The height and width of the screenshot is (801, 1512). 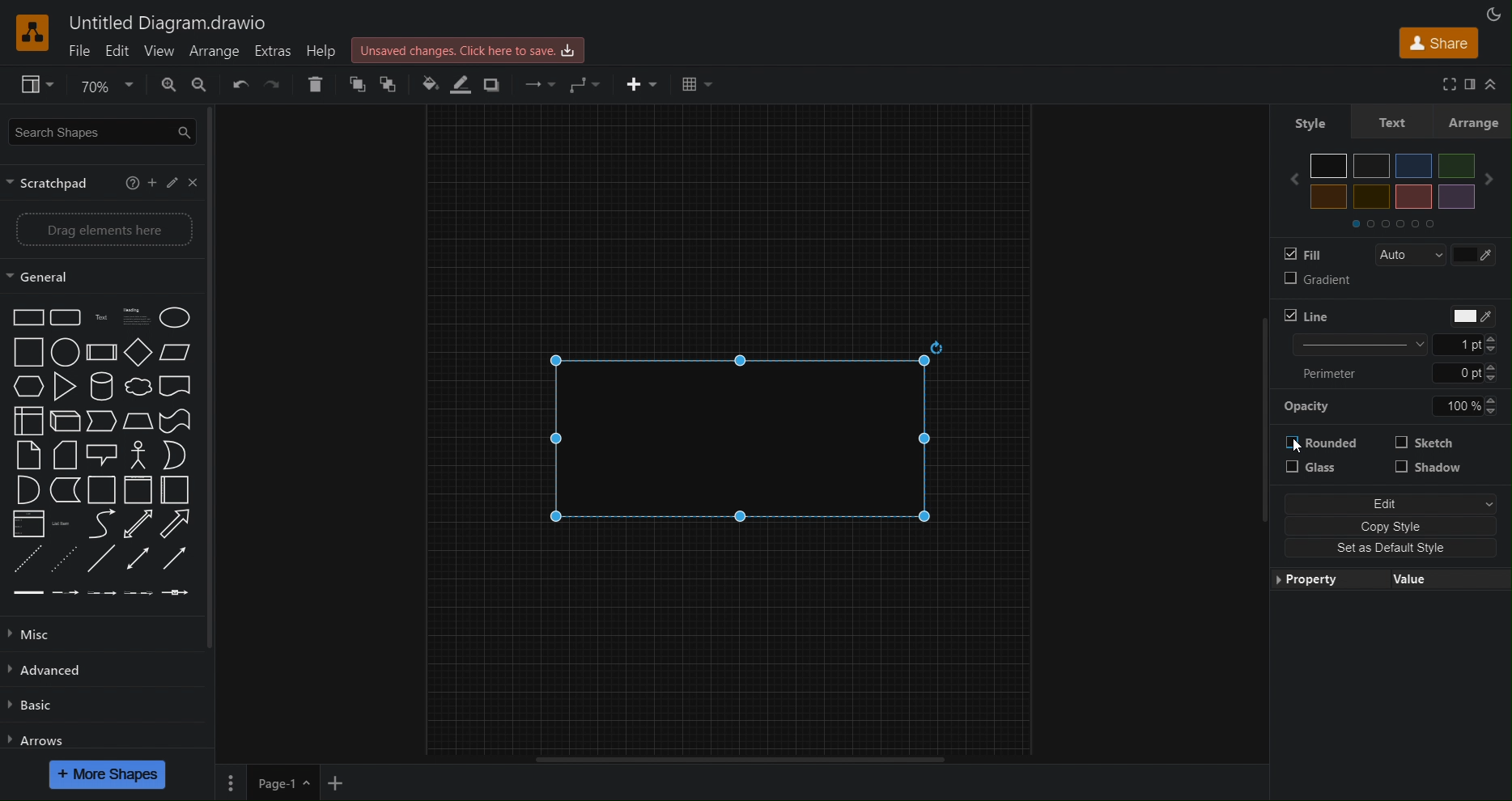 I want to click on Share, so click(x=1436, y=43).